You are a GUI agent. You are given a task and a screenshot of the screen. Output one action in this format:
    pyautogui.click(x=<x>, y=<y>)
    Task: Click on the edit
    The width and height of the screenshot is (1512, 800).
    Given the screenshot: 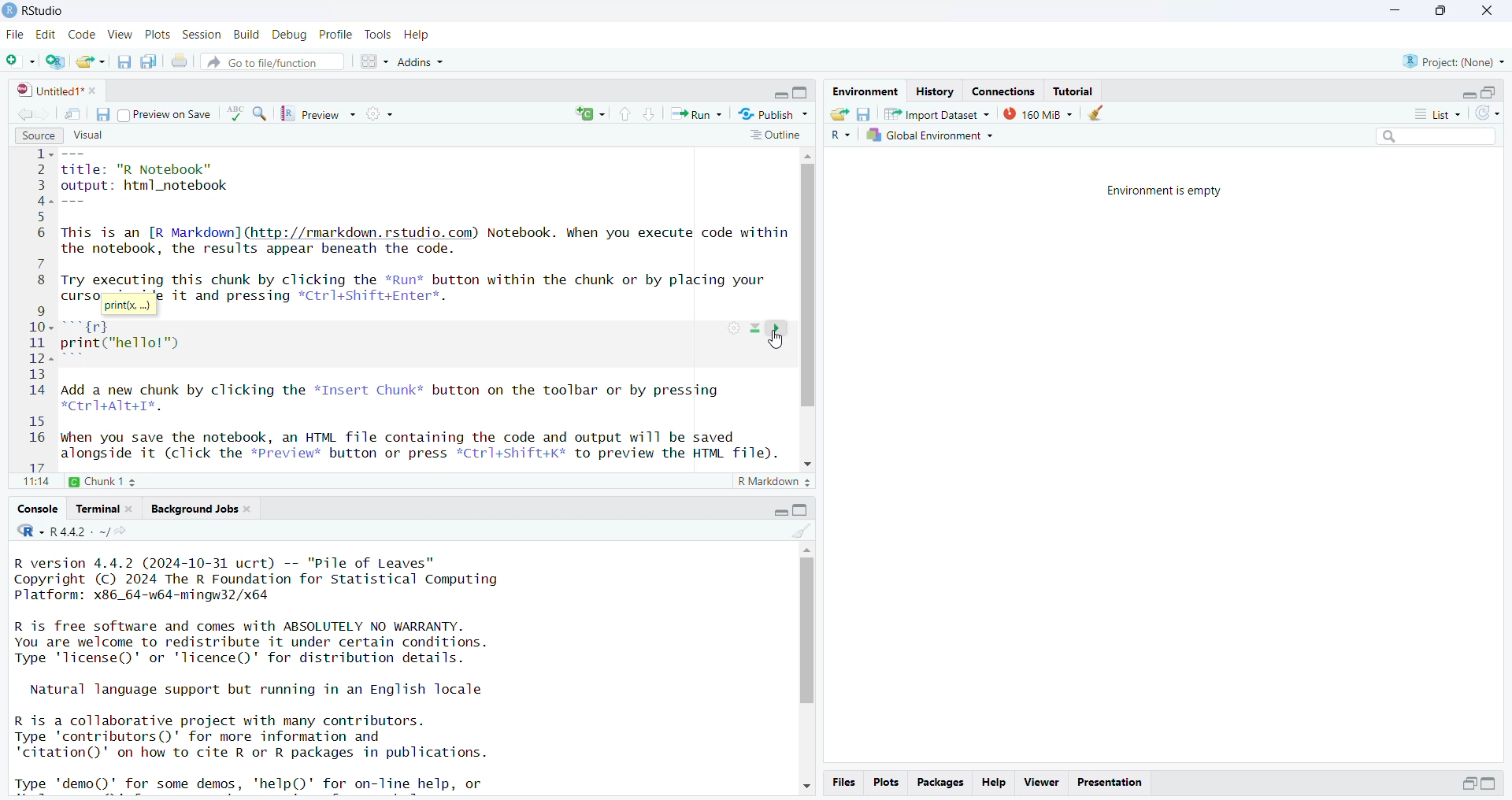 What is the action you would take?
    pyautogui.click(x=49, y=35)
    